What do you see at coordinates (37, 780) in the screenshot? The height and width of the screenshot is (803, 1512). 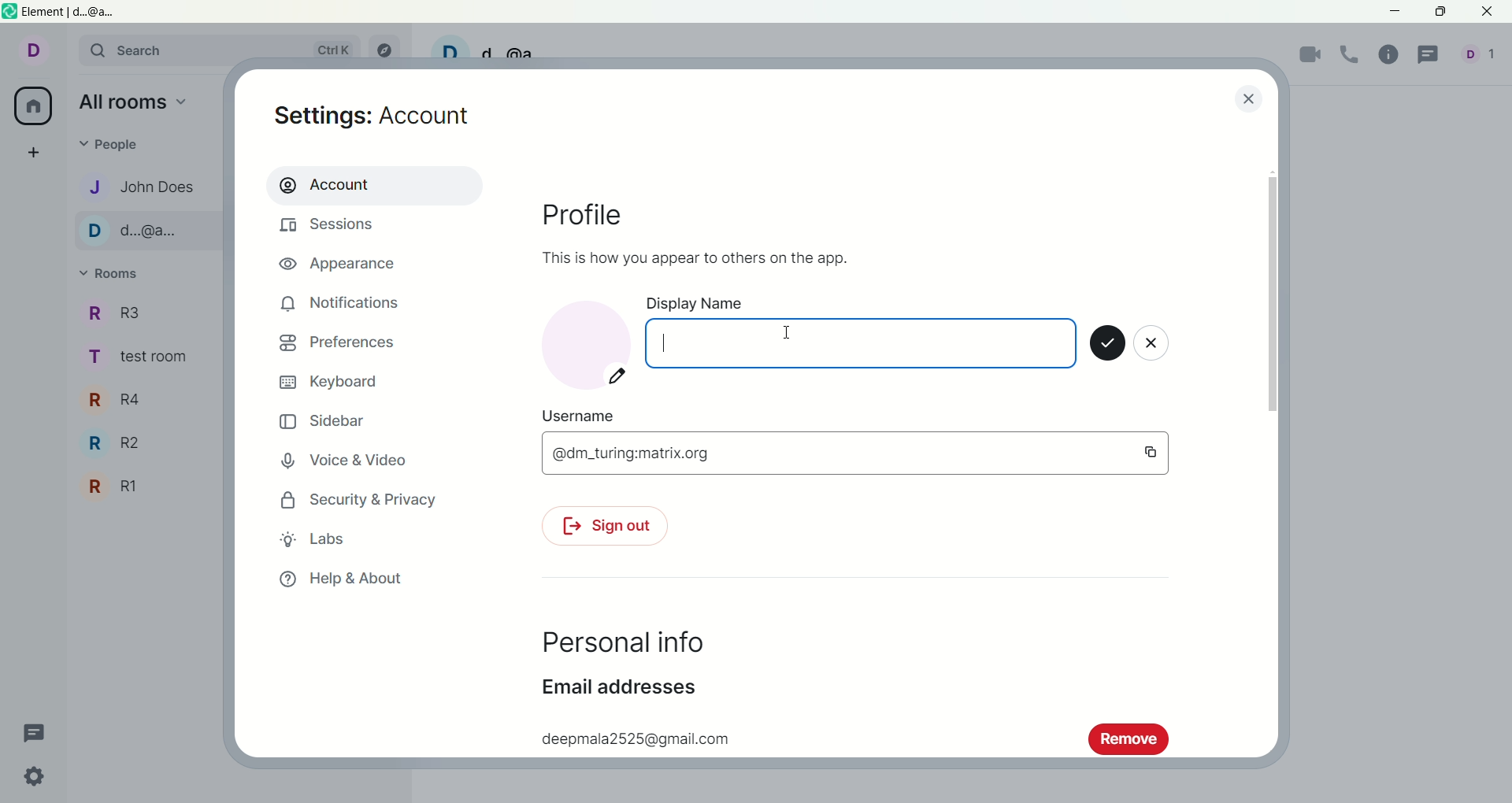 I see `quick settings` at bounding box center [37, 780].